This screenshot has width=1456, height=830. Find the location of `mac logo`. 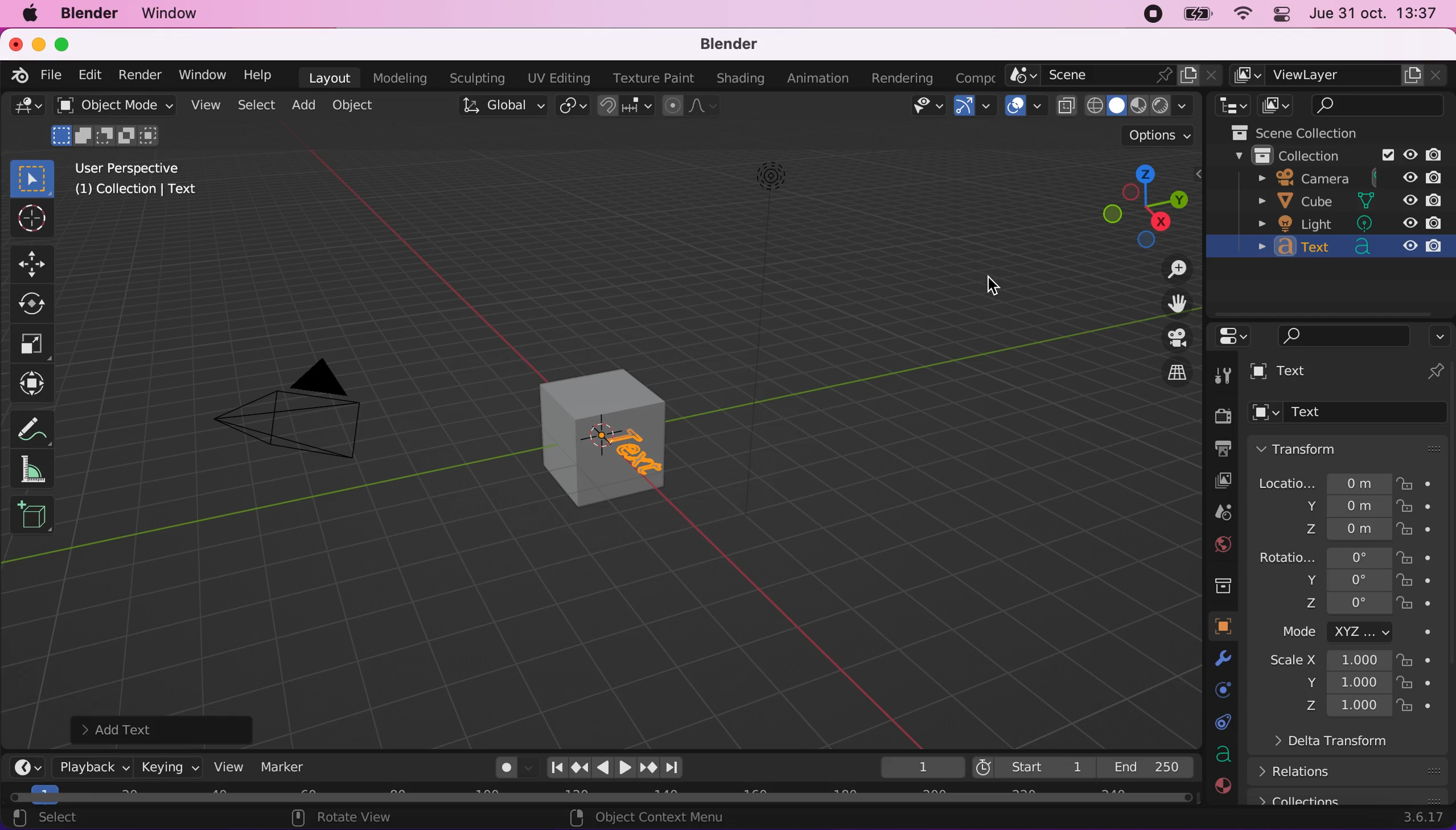

mac logo is located at coordinates (29, 14).